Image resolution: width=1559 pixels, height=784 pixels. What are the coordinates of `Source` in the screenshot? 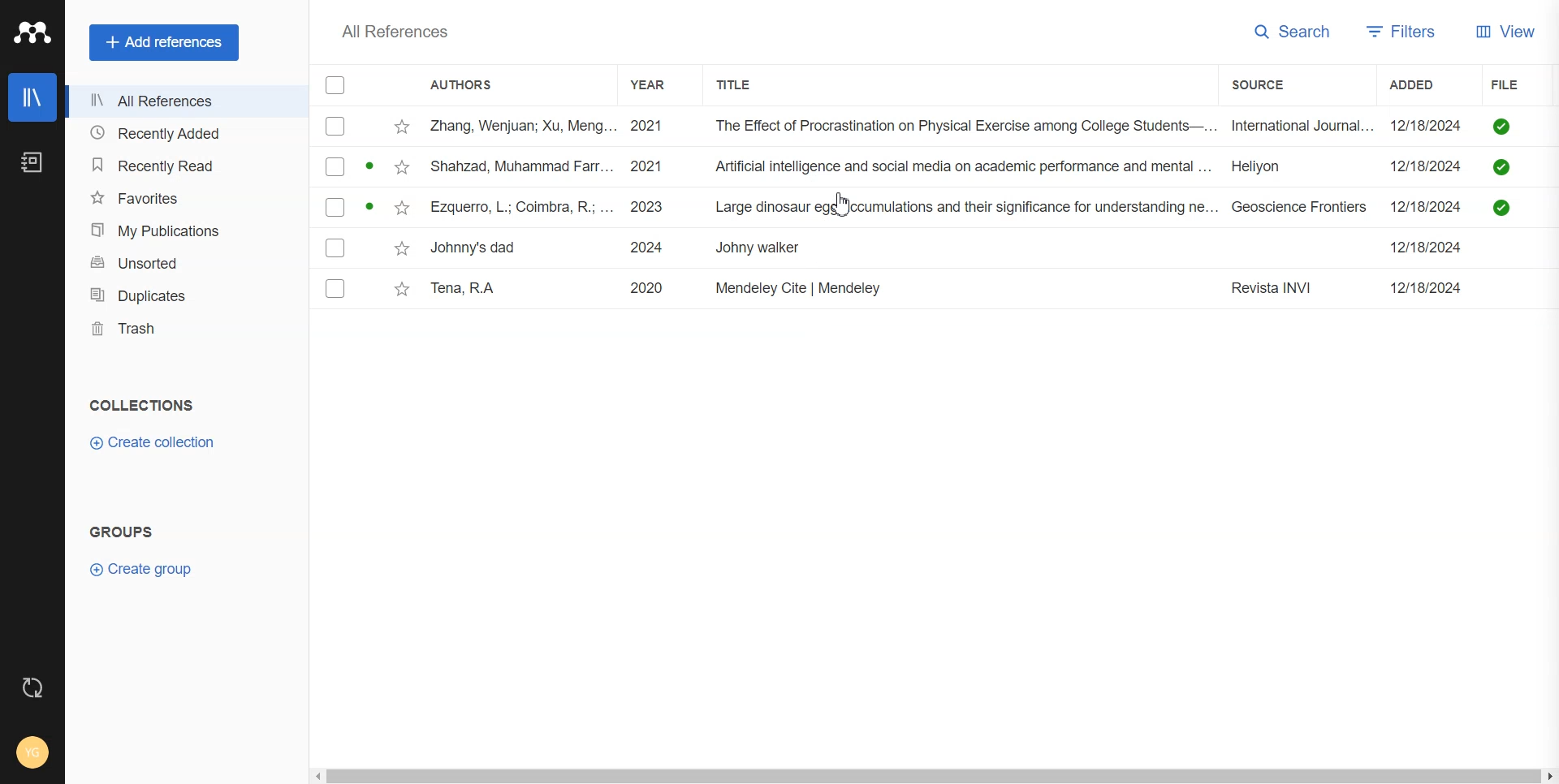 It's located at (1276, 85).